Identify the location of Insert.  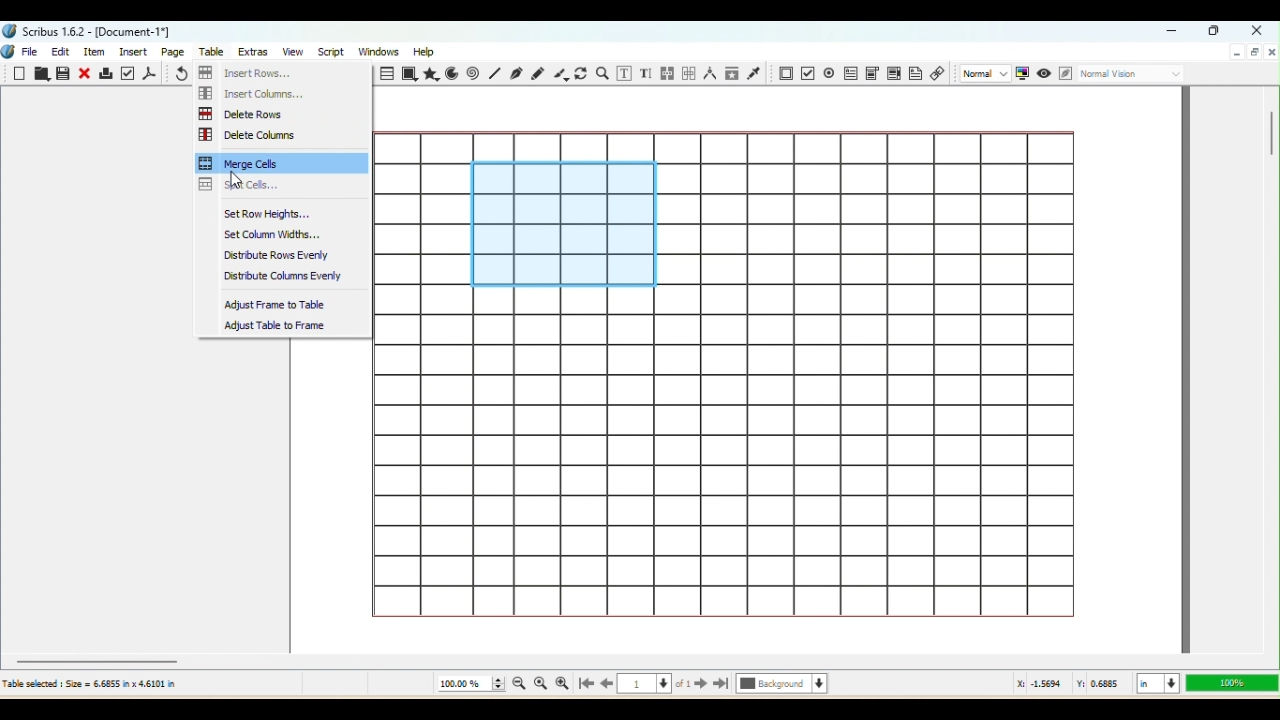
(136, 51).